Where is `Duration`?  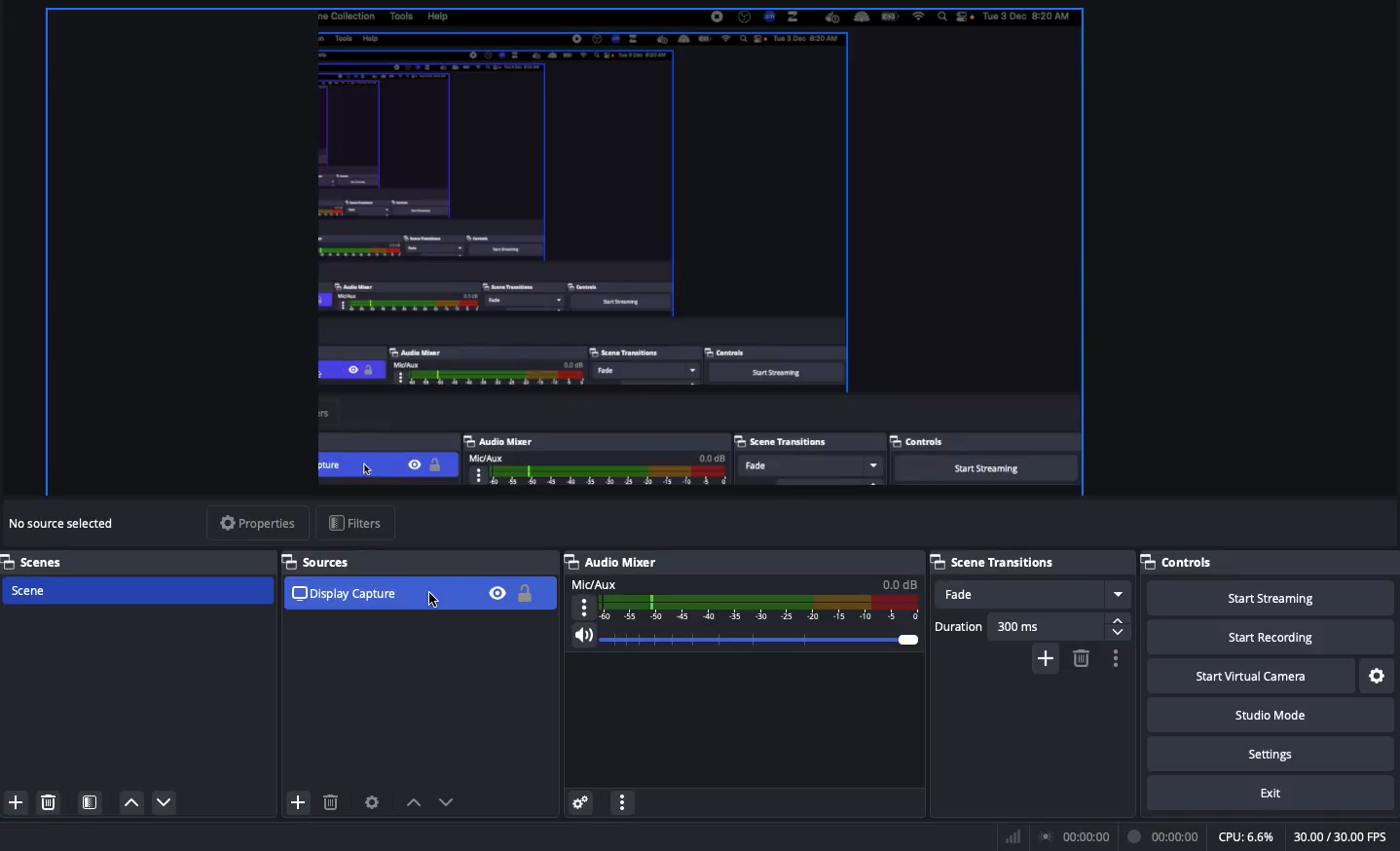 Duration is located at coordinates (1030, 628).